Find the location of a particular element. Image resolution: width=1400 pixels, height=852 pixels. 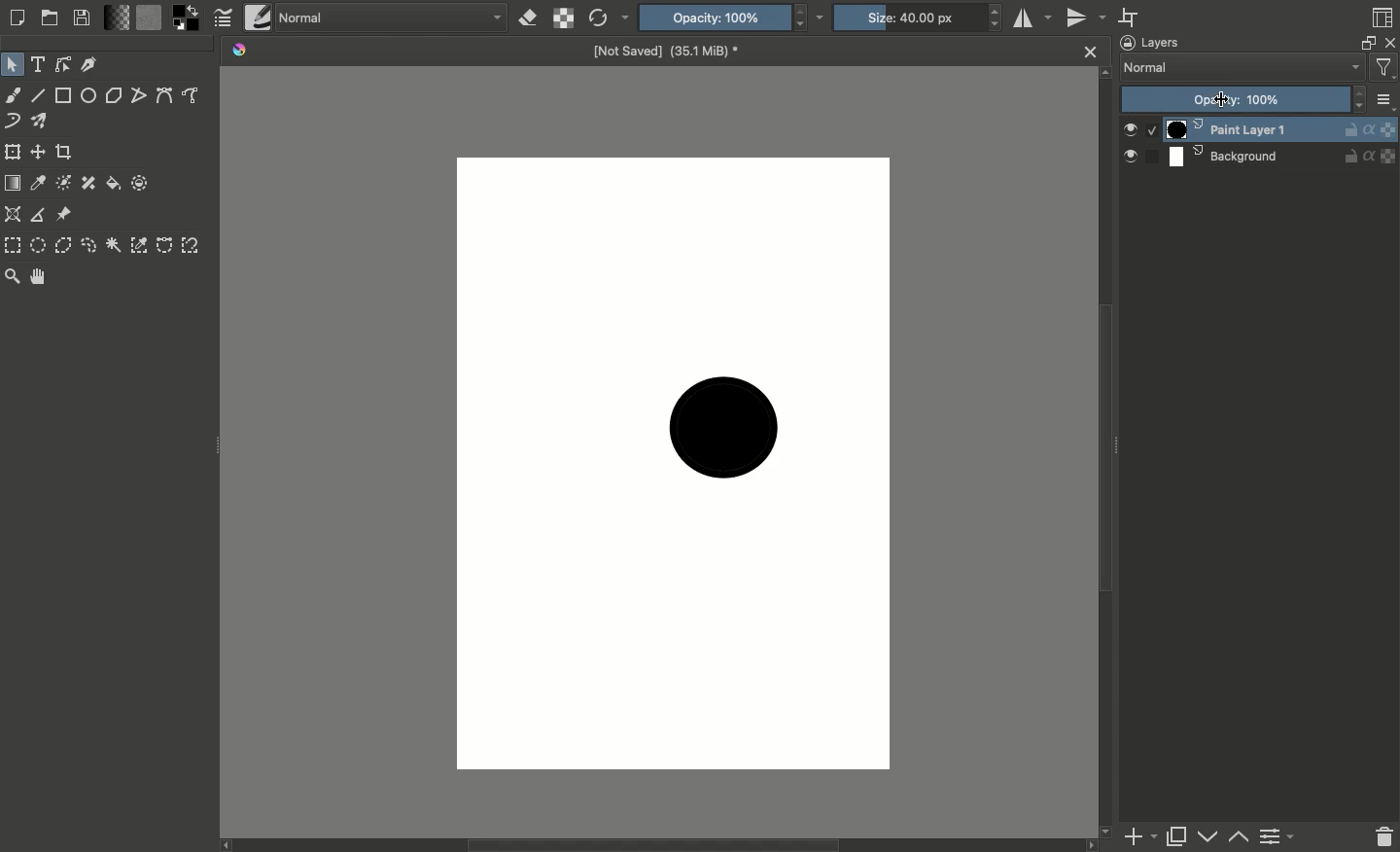

layer is located at coordinates (1389, 129).